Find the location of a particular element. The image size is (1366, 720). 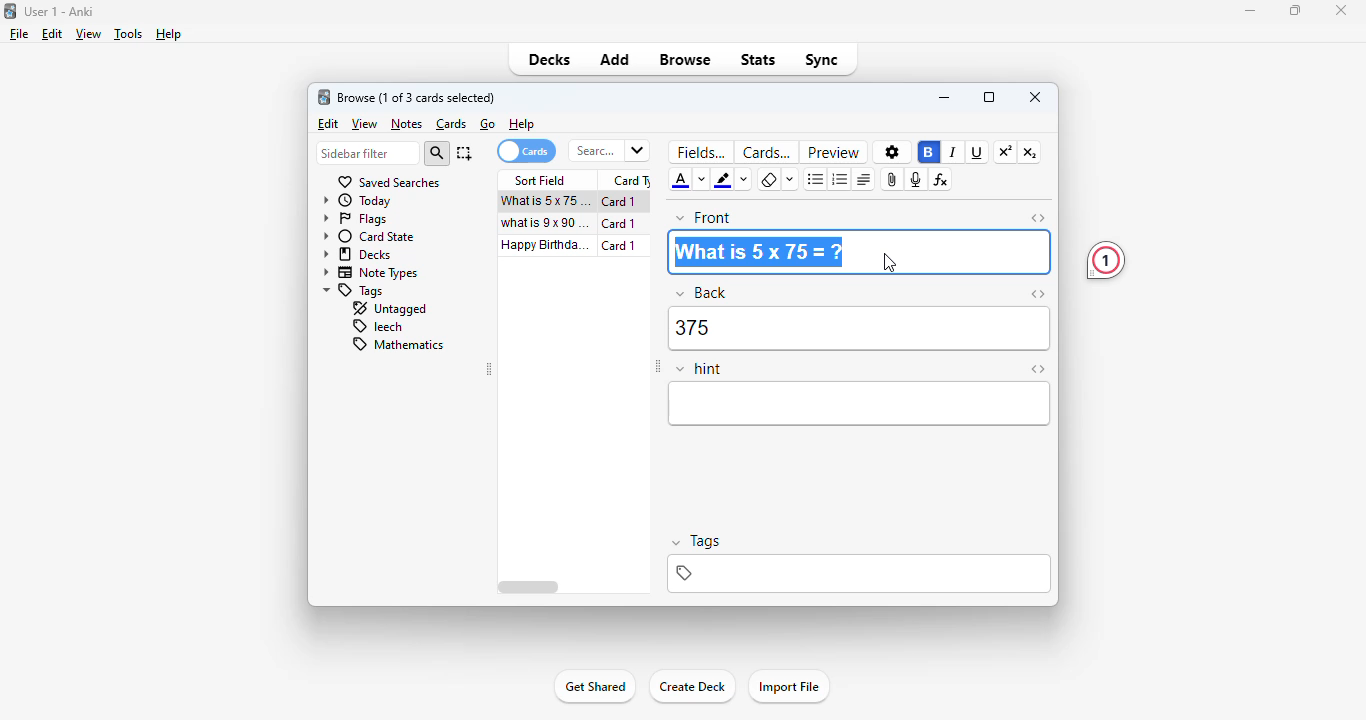

saved searches is located at coordinates (390, 182).